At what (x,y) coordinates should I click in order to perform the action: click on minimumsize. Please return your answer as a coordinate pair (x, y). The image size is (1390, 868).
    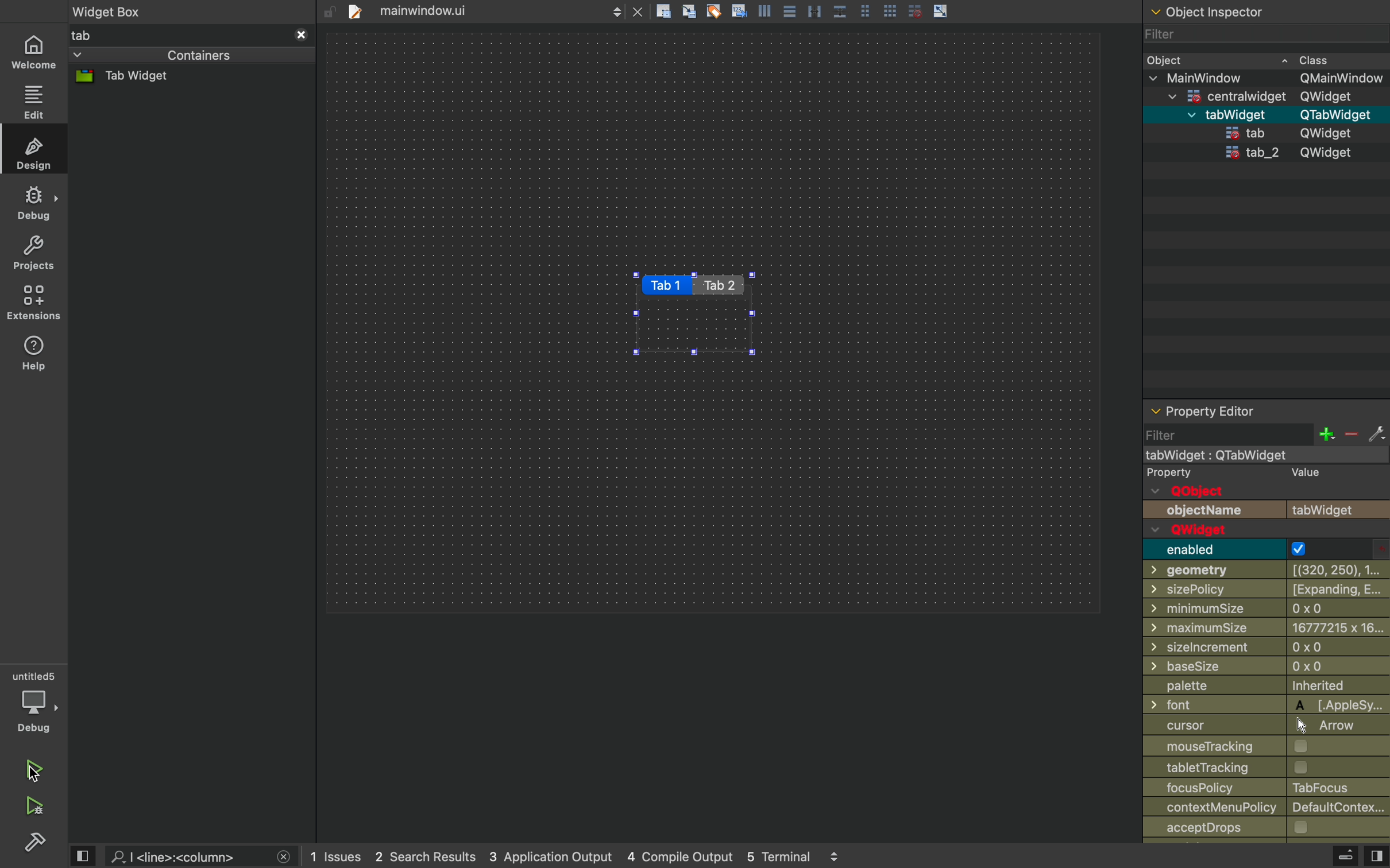
    Looking at the image, I should click on (1264, 610).